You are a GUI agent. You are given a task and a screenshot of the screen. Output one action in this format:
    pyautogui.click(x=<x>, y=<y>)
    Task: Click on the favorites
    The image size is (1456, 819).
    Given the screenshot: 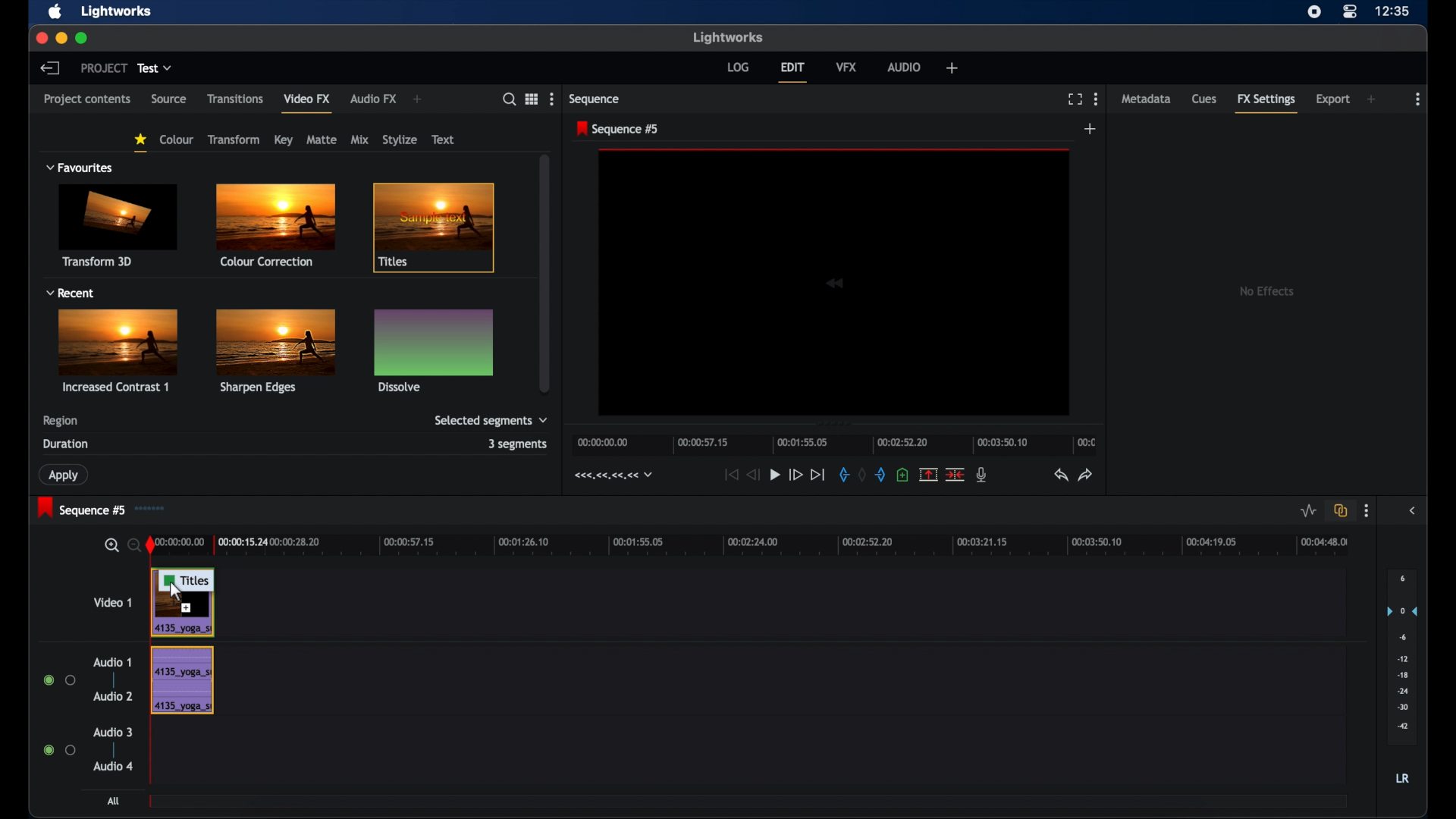 What is the action you would take?
    pyautogui.click(x=140, y=143)
    